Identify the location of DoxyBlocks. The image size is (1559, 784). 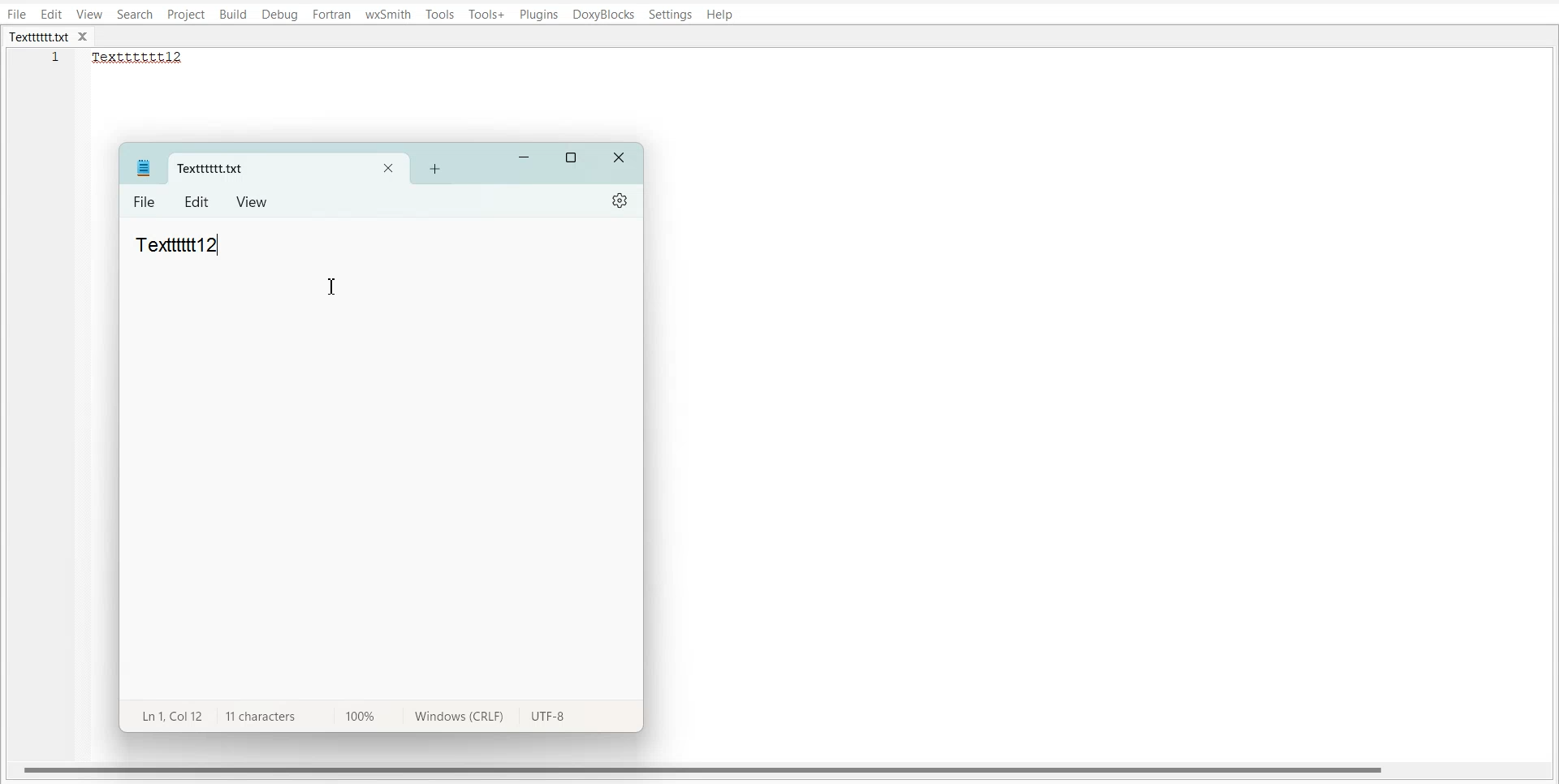
(603, 15).